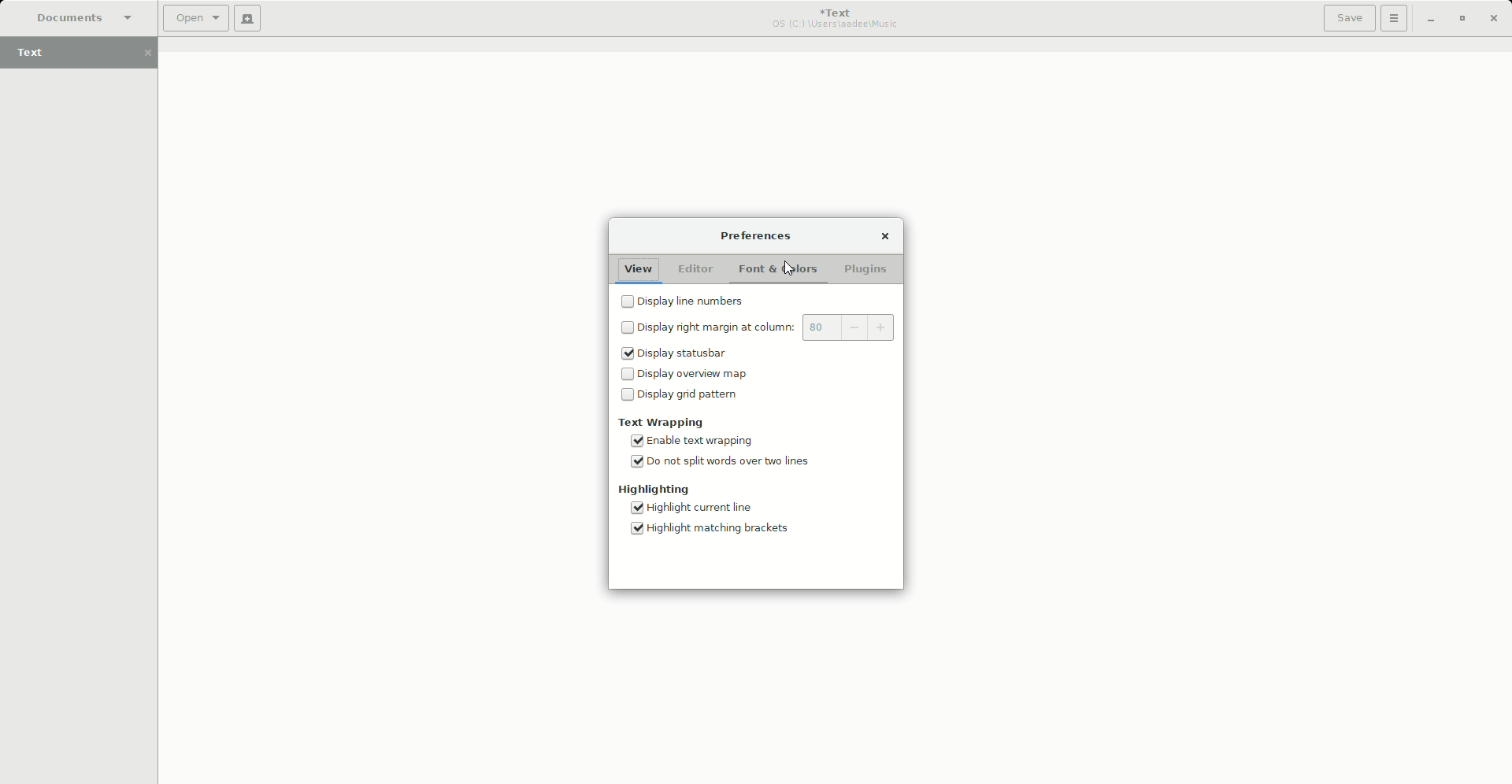  Describe the element at coordinates (1495, 19) in the screenshot. I see `Close` at that location.